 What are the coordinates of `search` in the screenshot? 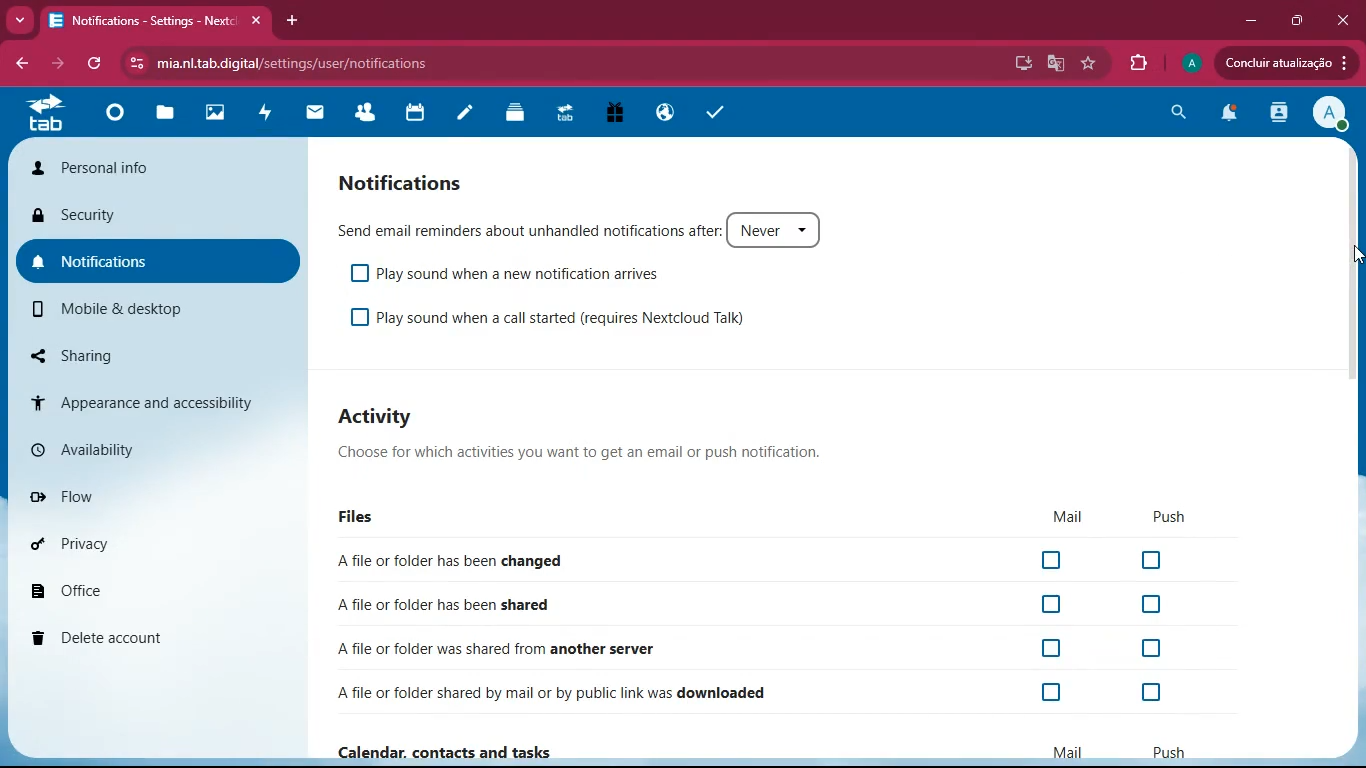 It's located at (1178, 113).